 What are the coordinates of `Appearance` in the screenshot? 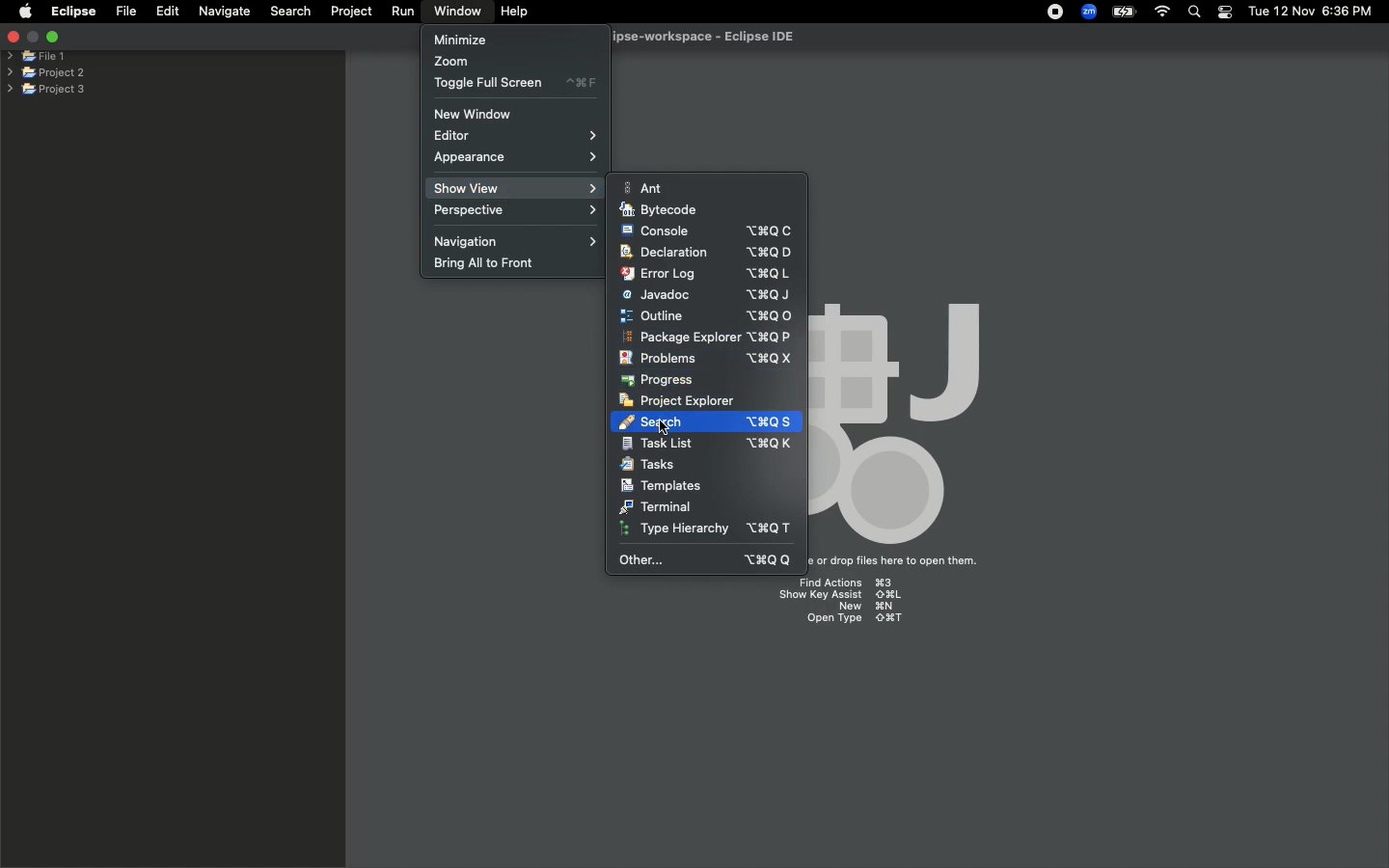 It's located at (516, 159).